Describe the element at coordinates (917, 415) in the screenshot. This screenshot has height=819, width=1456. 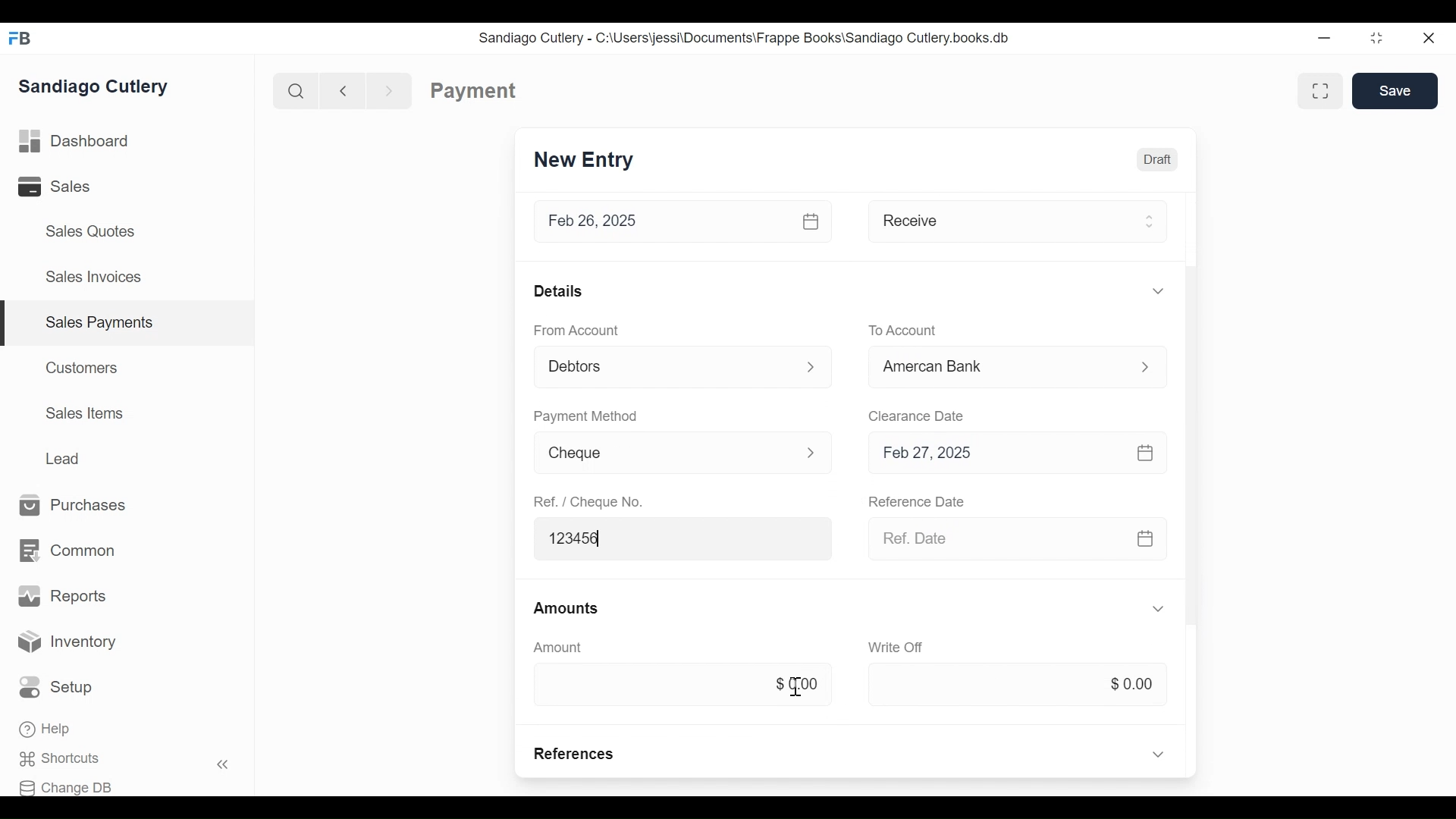
I see `Clearance Date` at that location.